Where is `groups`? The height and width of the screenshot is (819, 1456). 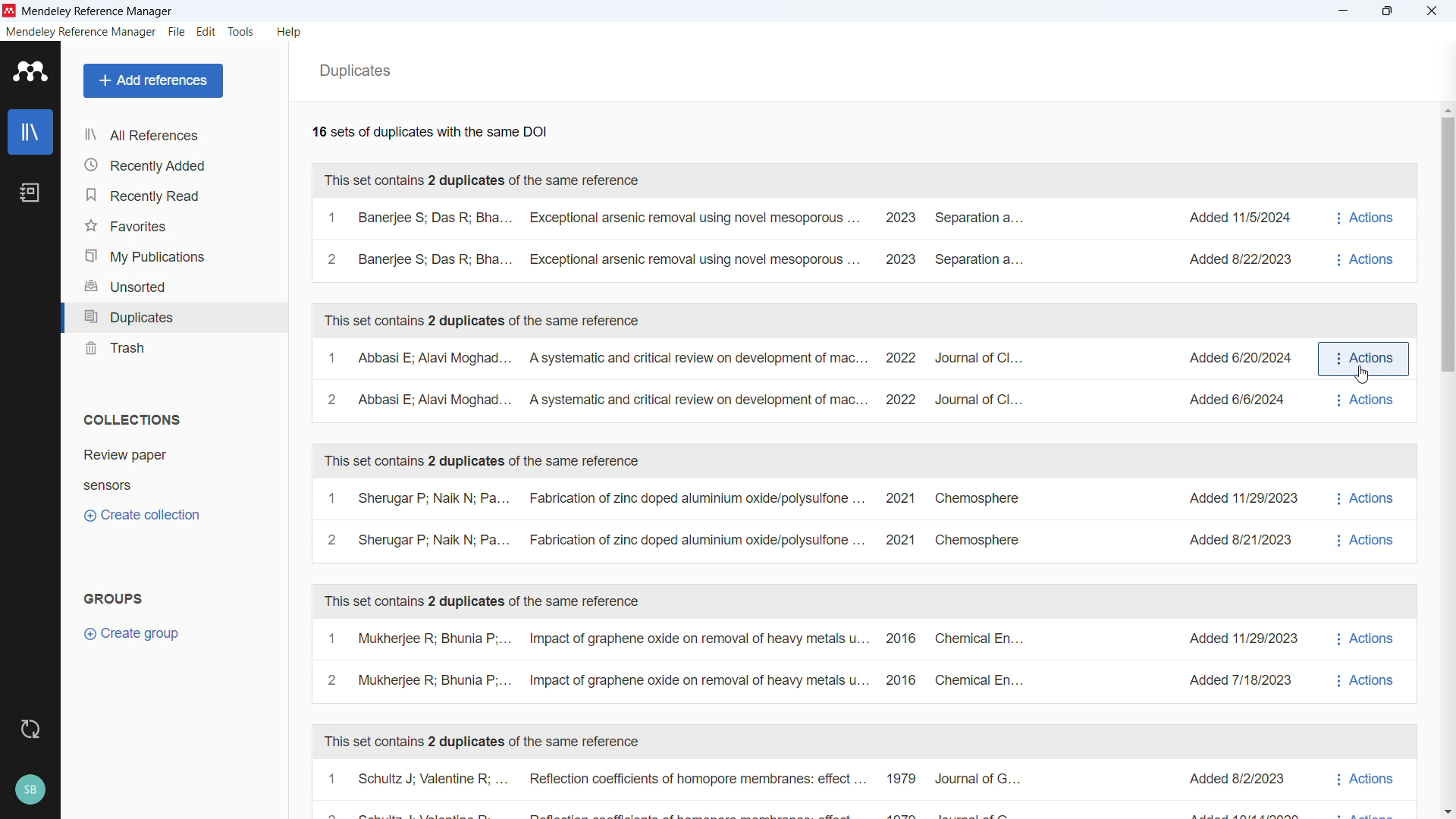
groups is located at coordinates (114, 598).